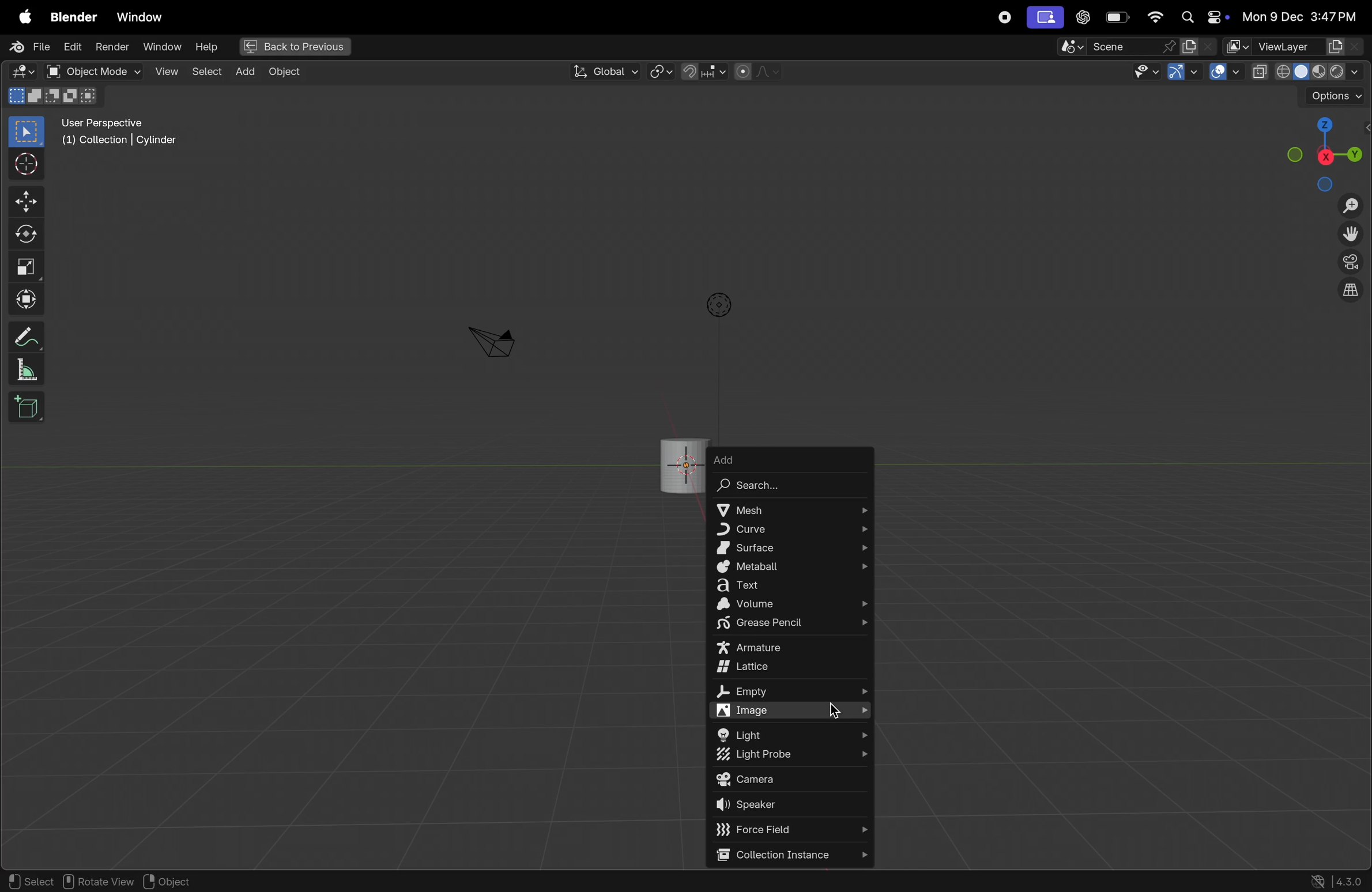 This screenshot has width=1372, height=892. Describe the element at coordinates (164, 71) in the screenshot. I see `view` at that location.